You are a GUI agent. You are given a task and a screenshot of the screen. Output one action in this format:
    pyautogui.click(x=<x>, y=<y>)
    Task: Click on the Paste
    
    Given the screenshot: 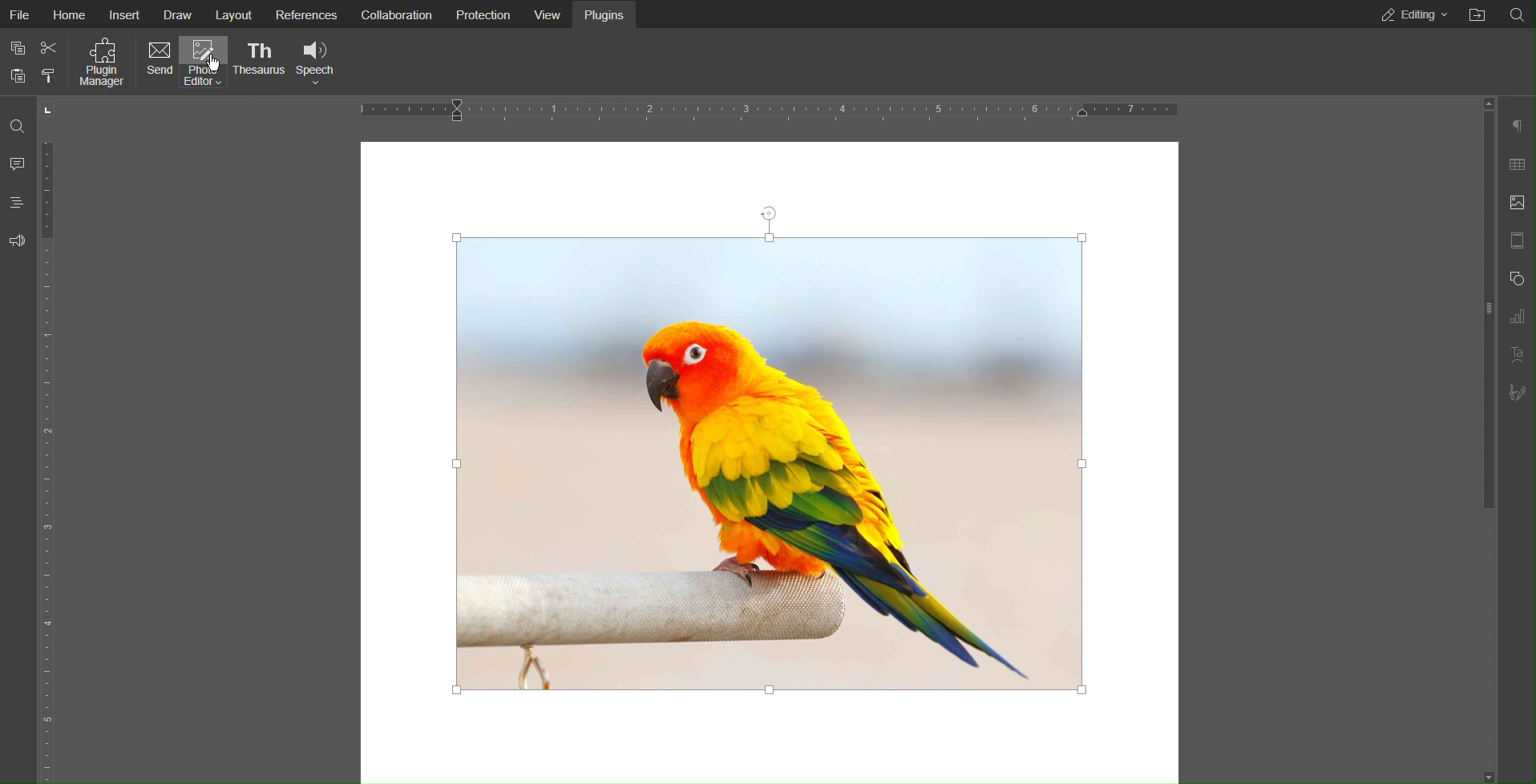 What is the action you would take?
    pyautogui.click(x=18, y=75)
    